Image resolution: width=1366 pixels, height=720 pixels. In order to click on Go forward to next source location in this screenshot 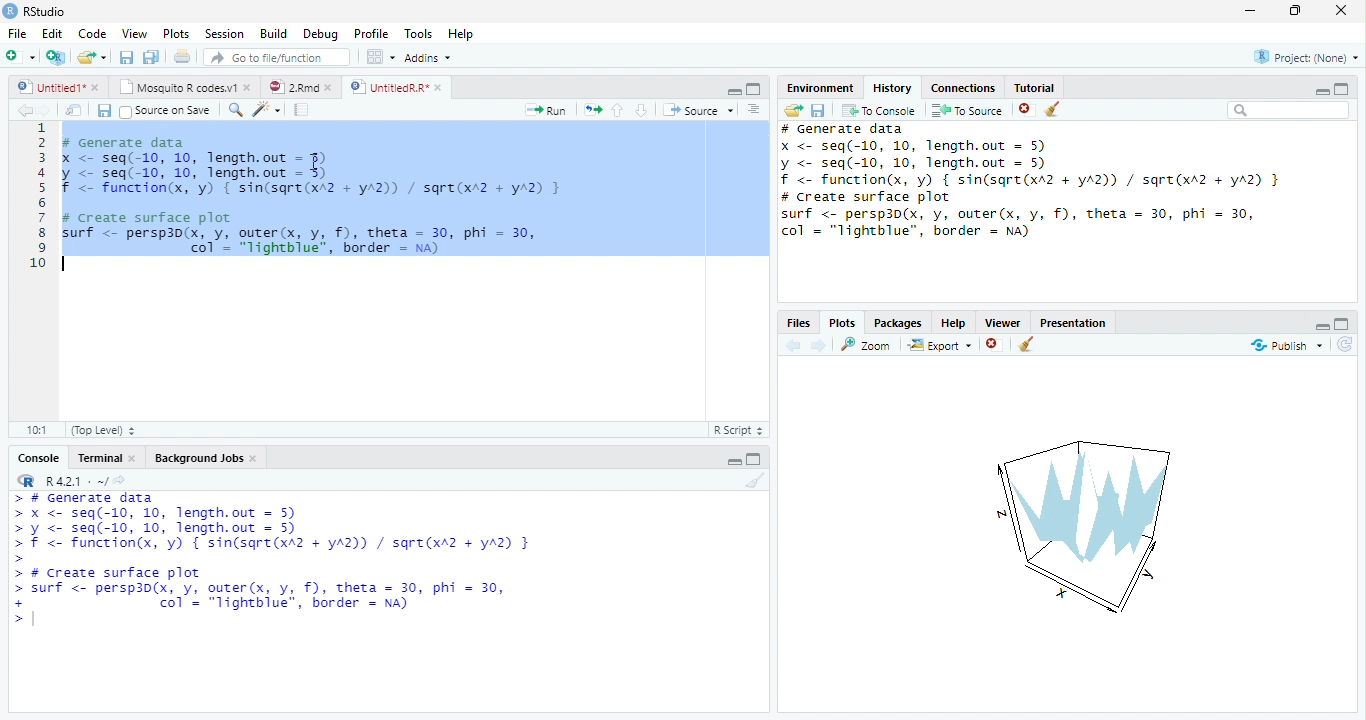, I will do `click(45, 111)`.